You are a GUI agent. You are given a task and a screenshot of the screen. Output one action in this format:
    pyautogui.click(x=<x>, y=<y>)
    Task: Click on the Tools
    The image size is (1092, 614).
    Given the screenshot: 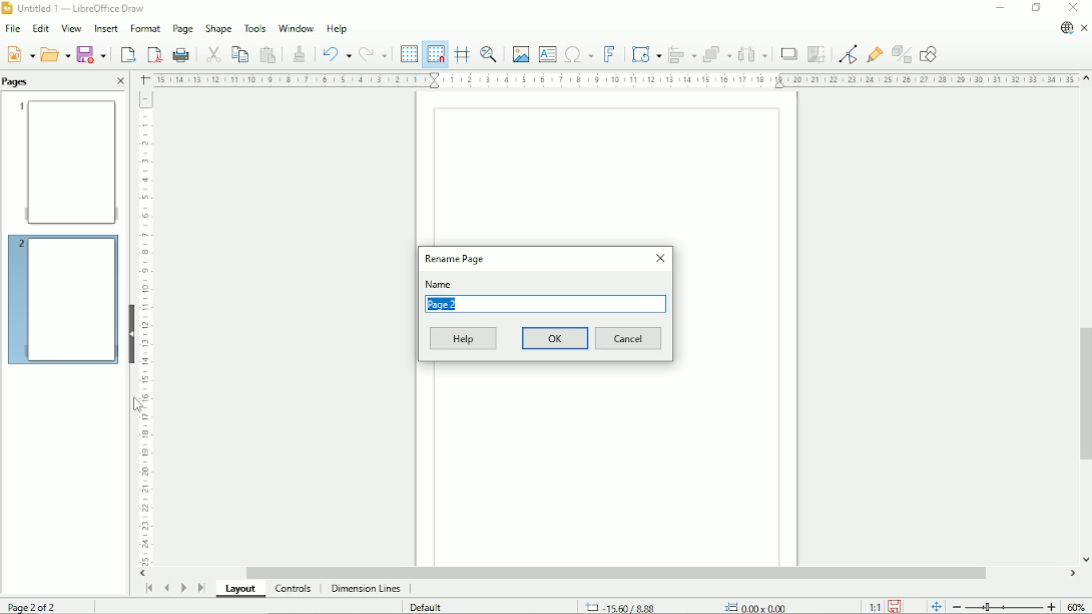 What is the action you would take?
    pyautogui.click(x=255, y=27)
    